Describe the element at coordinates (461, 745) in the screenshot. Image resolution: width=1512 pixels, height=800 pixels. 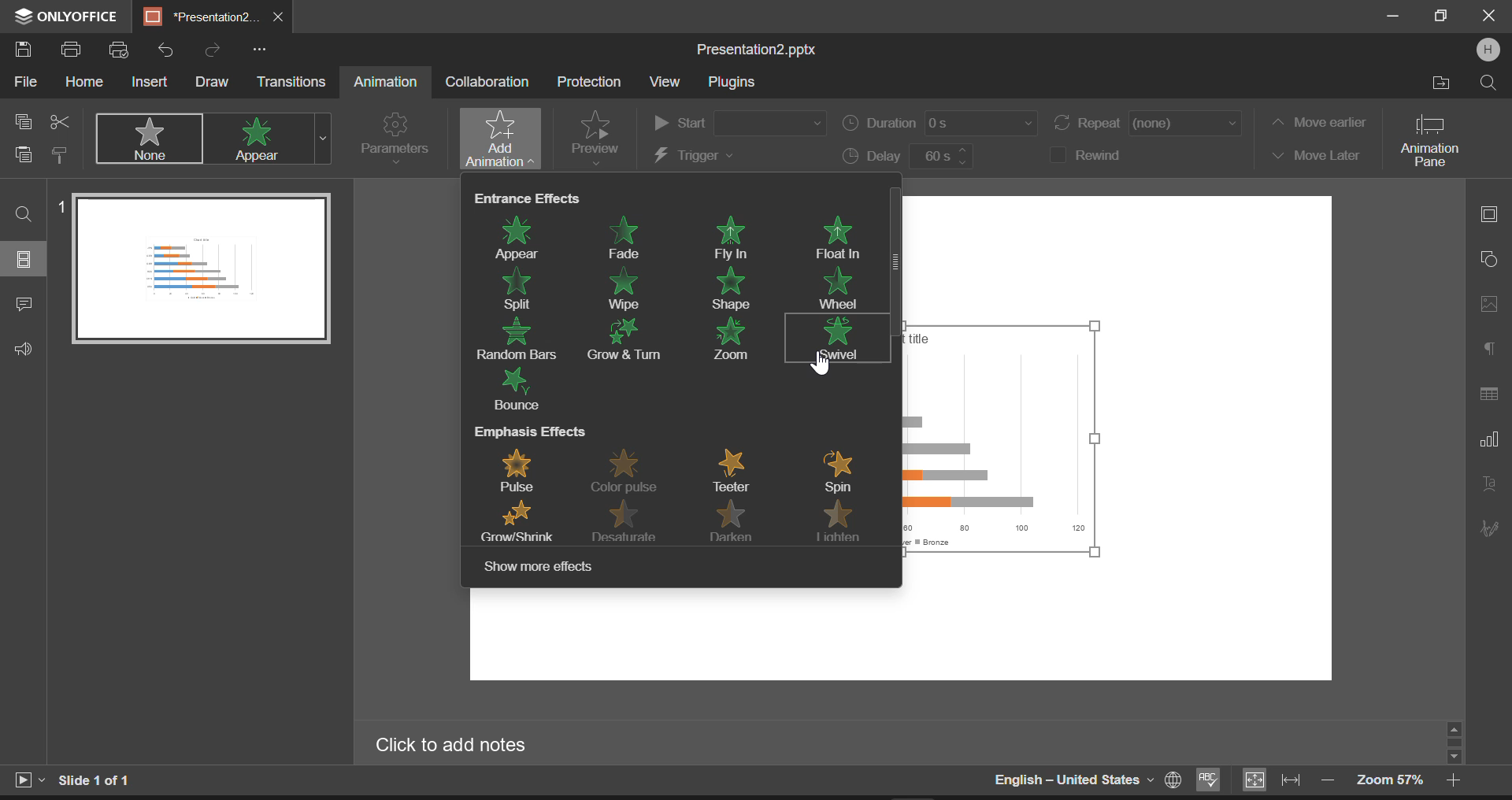
I see `Click to add notes` at that location.